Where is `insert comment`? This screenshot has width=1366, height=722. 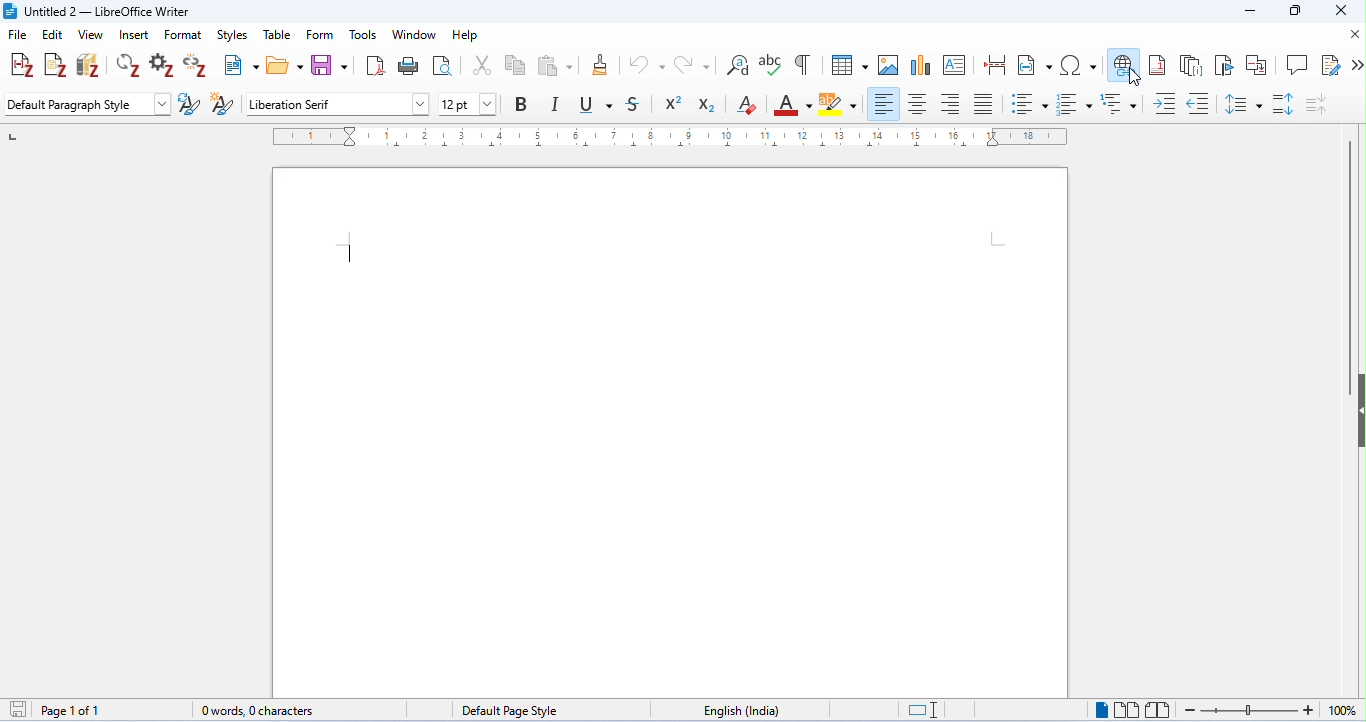 insert comment is located at coordinates (1298, 65).